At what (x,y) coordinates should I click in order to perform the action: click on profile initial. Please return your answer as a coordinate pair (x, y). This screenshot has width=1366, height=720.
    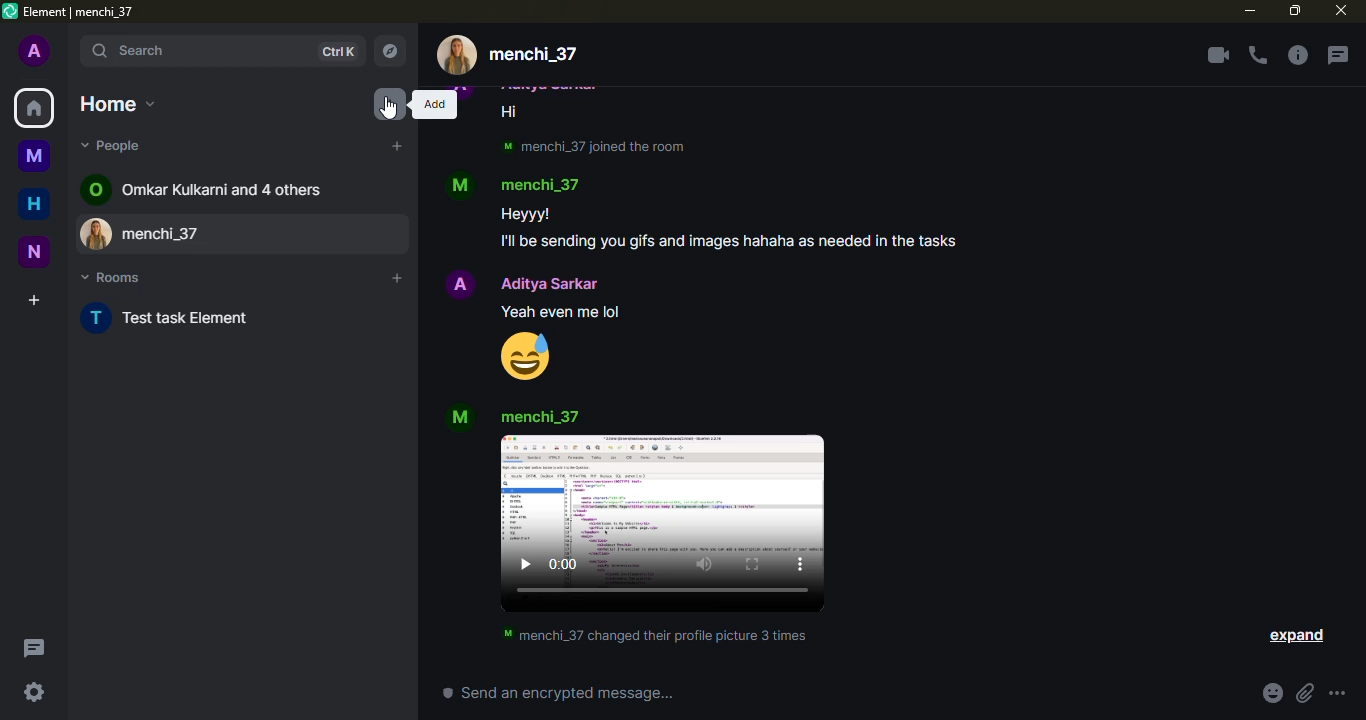
    Looking at the image, I should click on (35, 50).